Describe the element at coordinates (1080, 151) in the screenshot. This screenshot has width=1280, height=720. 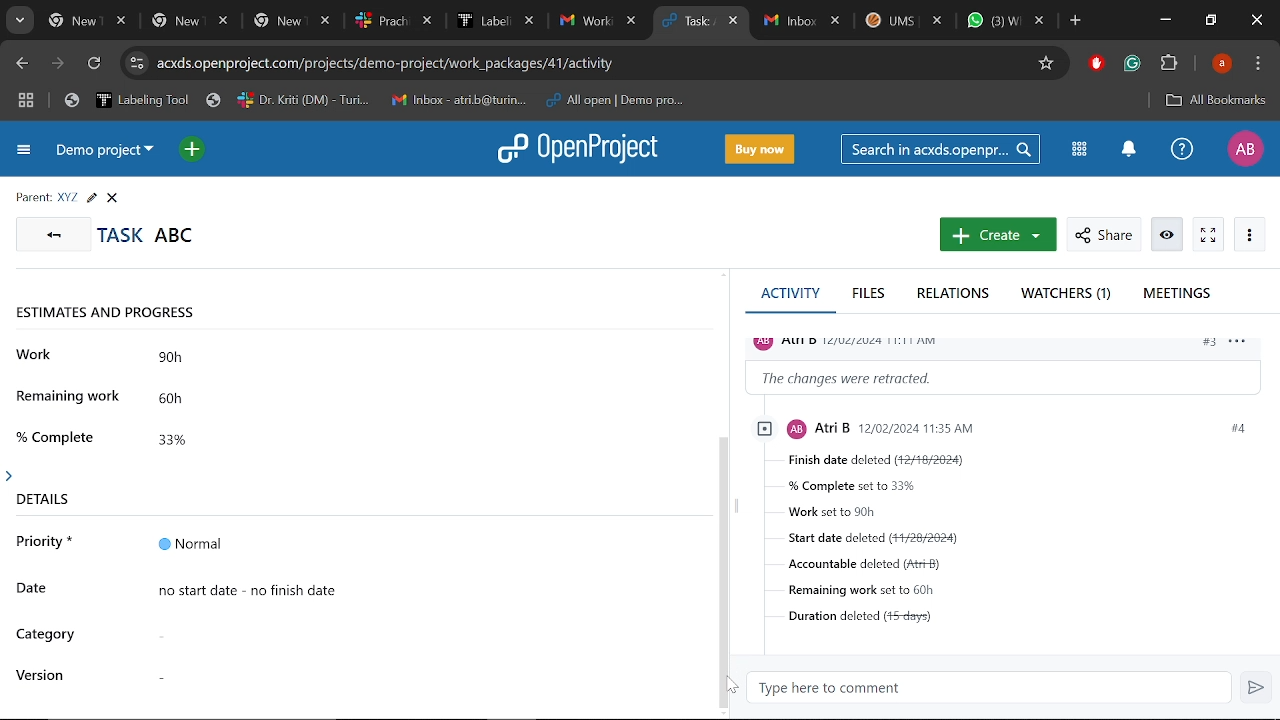
I see `Modules` at that location.